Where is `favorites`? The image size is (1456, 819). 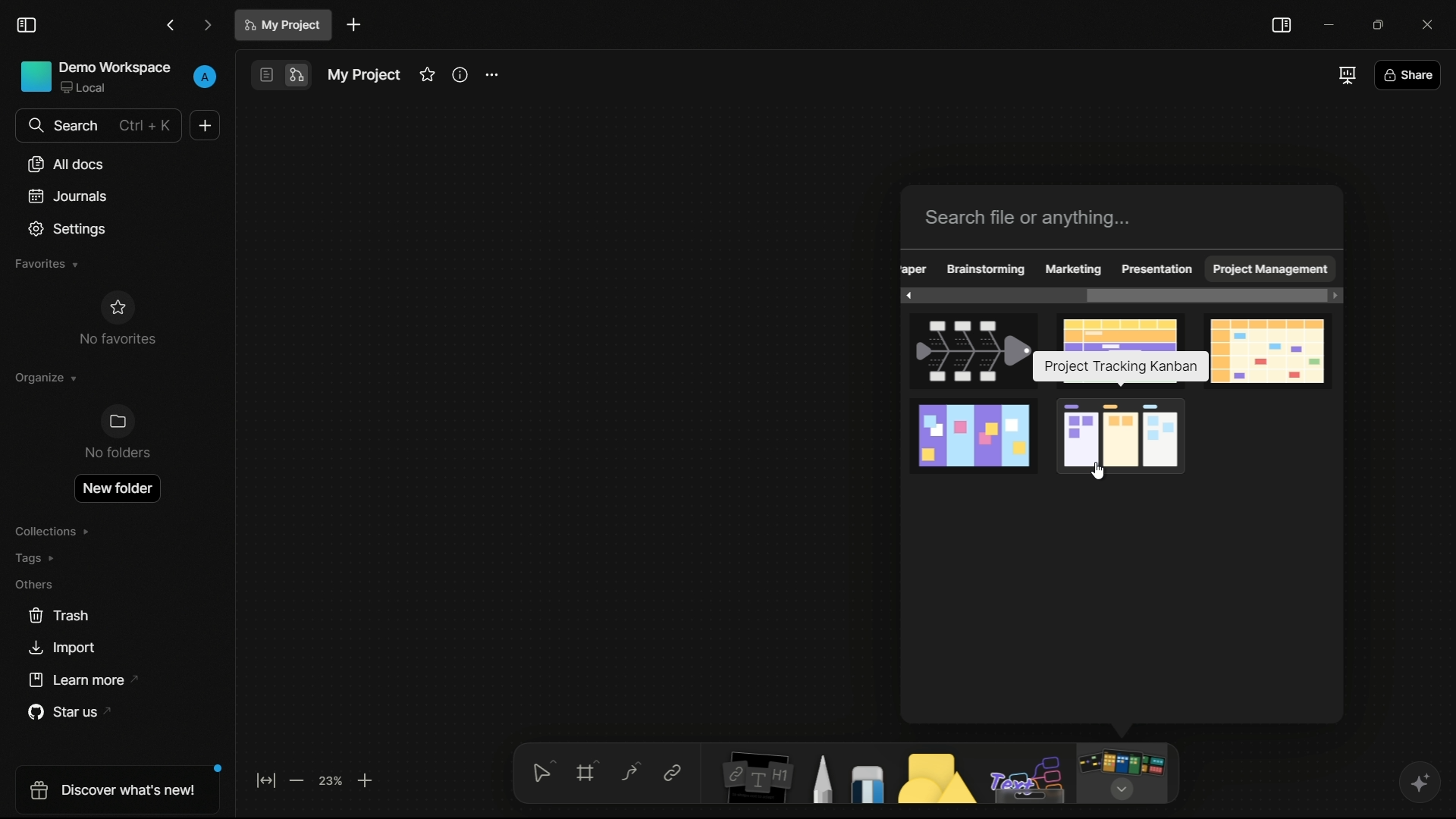
favorites is located at coordinates (427, 74).